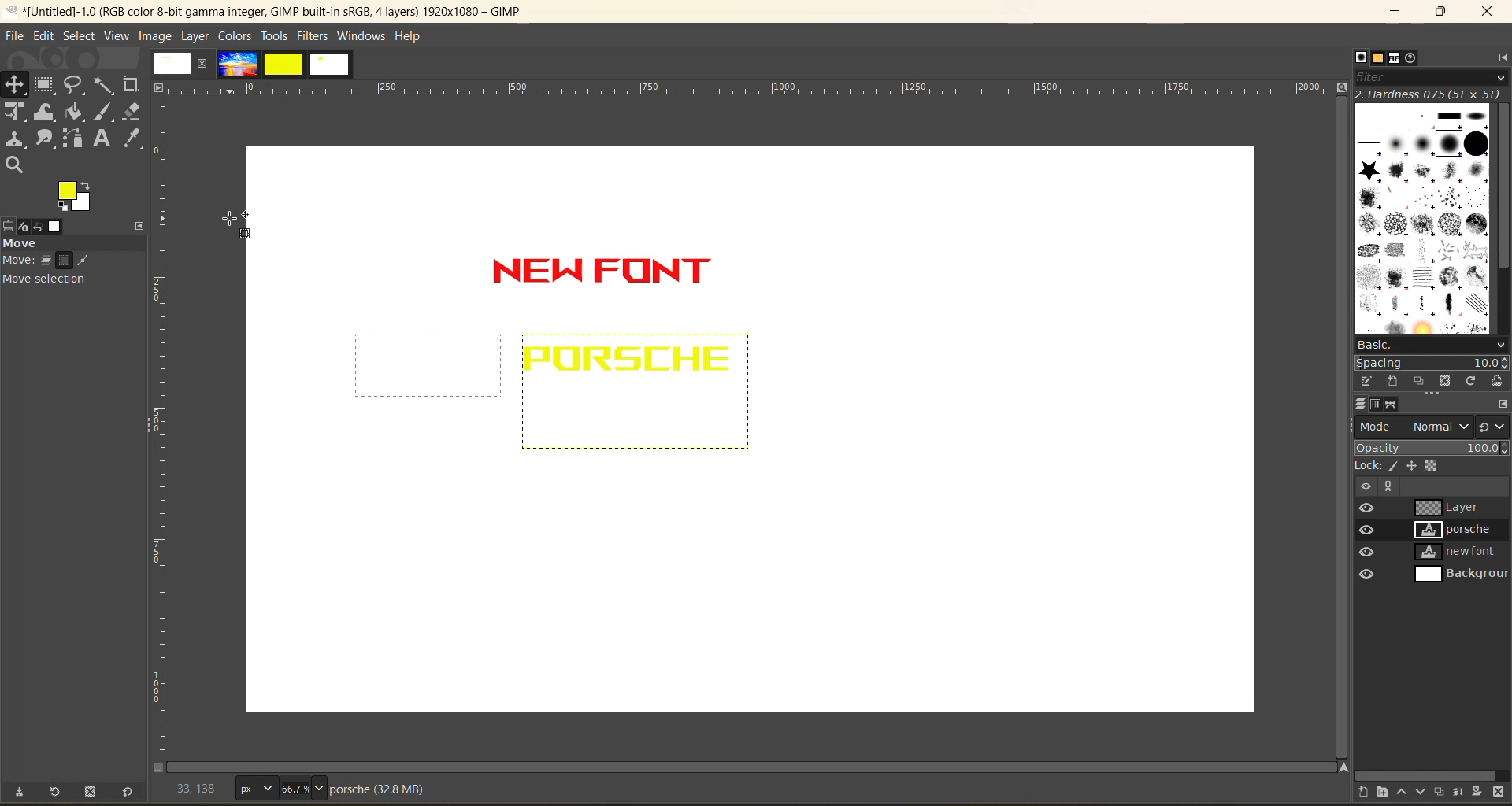 Image resolution: width=1512 pixels, height=806 pixels. Describe the element at coordinates (138, 224) in the screenshot. I see `configure` at that location.